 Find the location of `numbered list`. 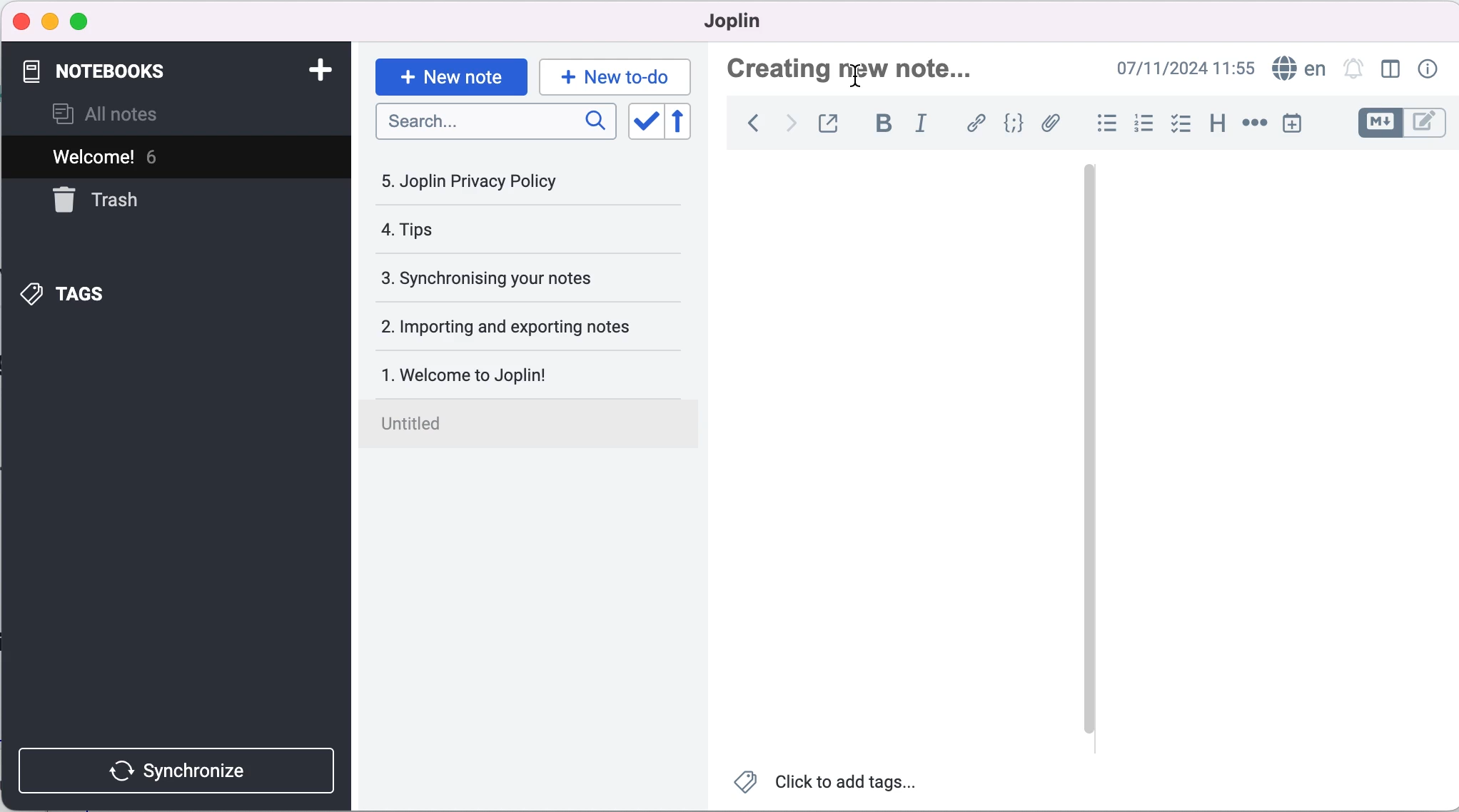

numbered list is located at coordinates (1141, 123).